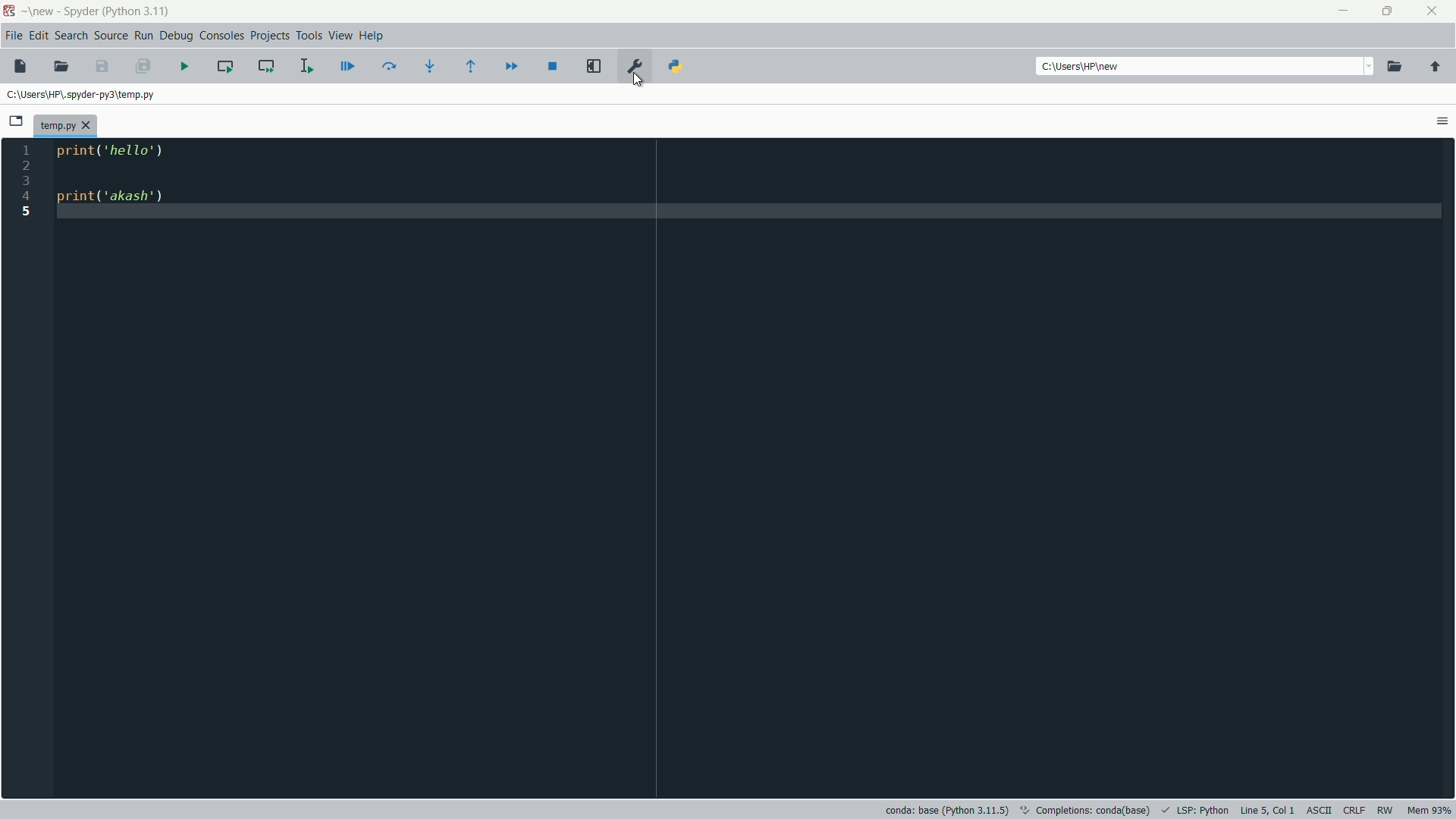 Image resolution: width=1456 pixels, height=819 pixels. Describe the element at coordinates (143, 67) in the screenshot. I see `save all files` at that location.